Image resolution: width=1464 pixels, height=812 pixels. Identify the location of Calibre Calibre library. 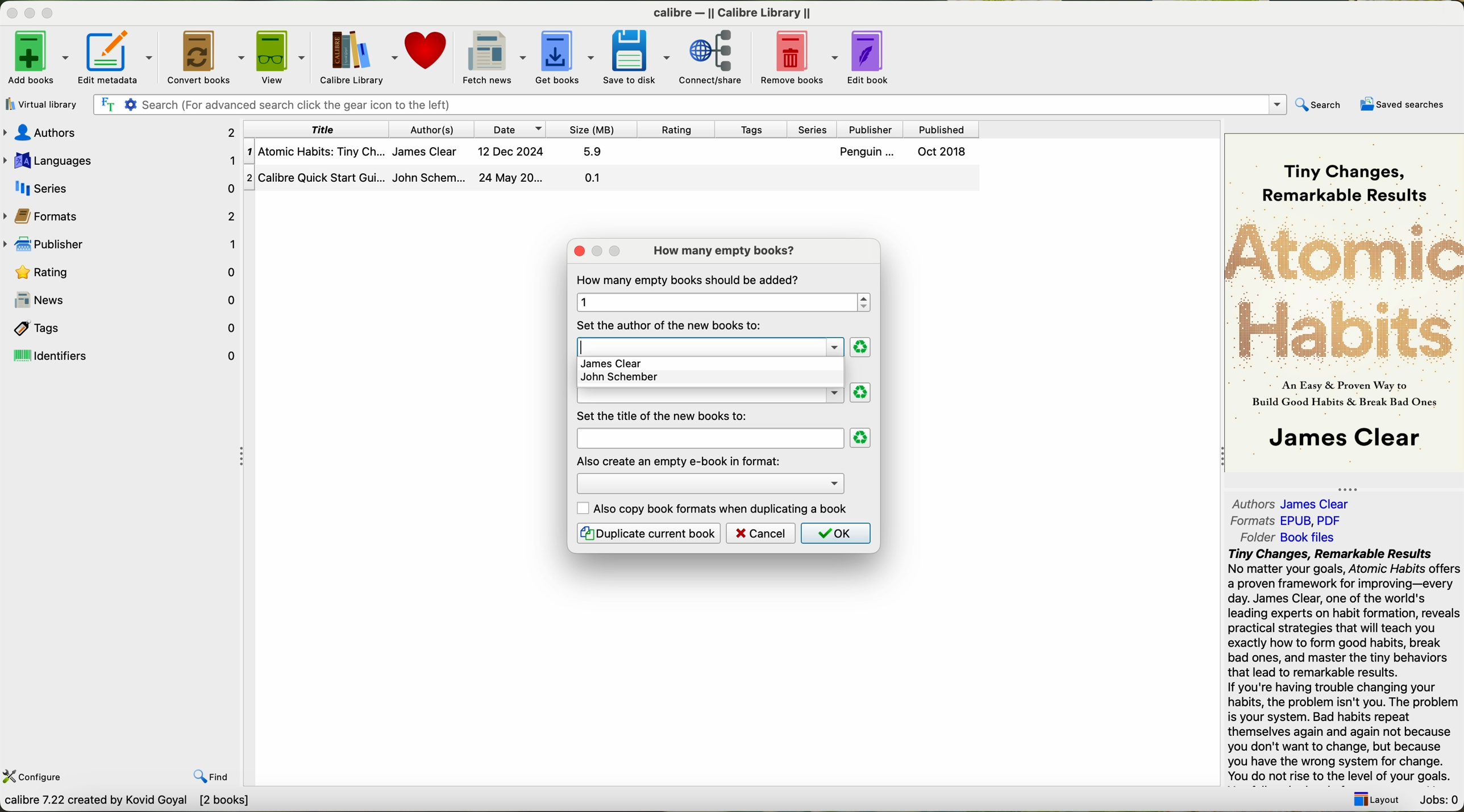
(737, 11).